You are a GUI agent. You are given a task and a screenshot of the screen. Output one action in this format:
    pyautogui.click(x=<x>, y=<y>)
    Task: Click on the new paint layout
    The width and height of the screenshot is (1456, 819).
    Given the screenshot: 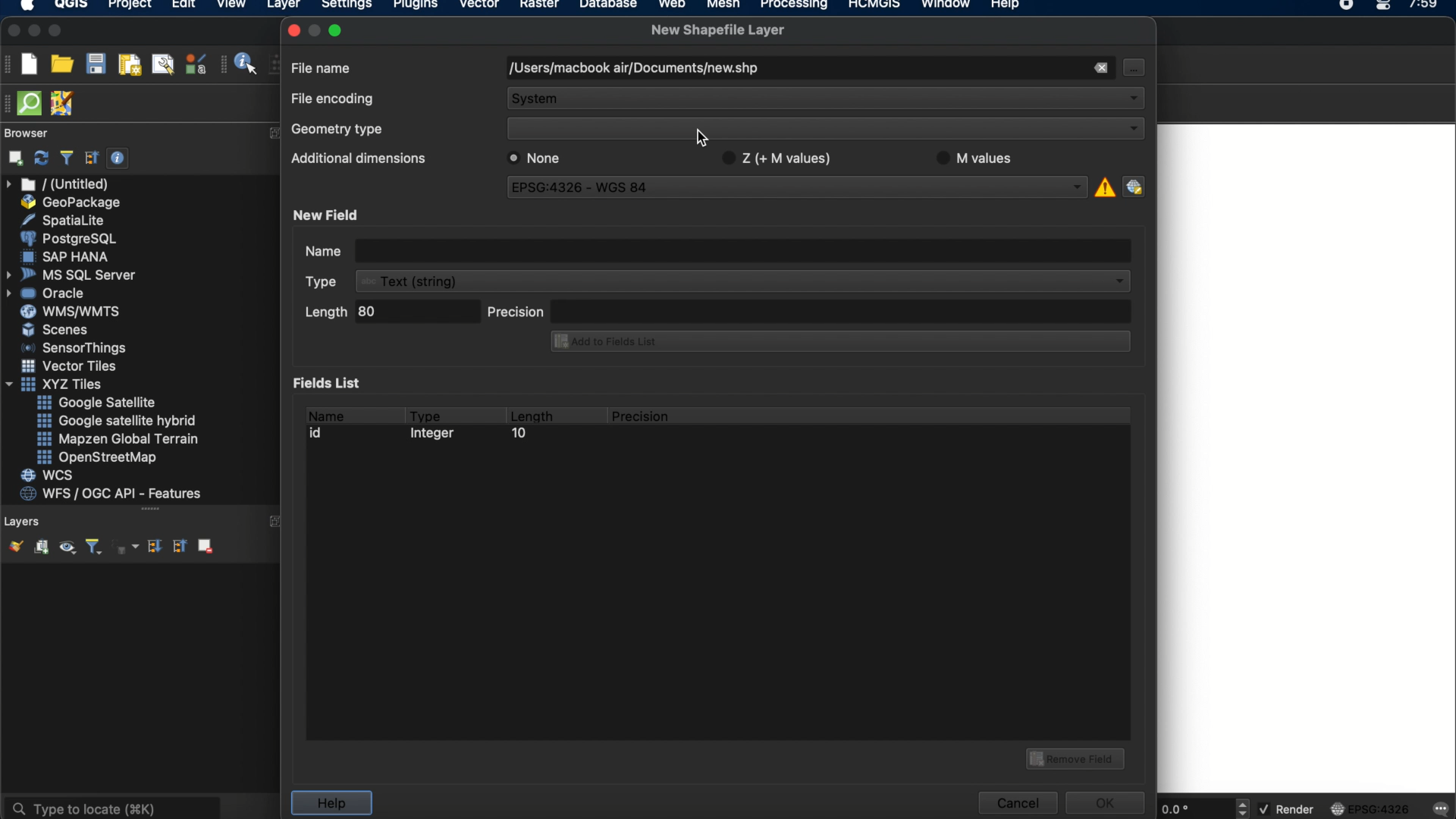 What is the action you would take?
    pyautogui.click(x=128, y=66)
    